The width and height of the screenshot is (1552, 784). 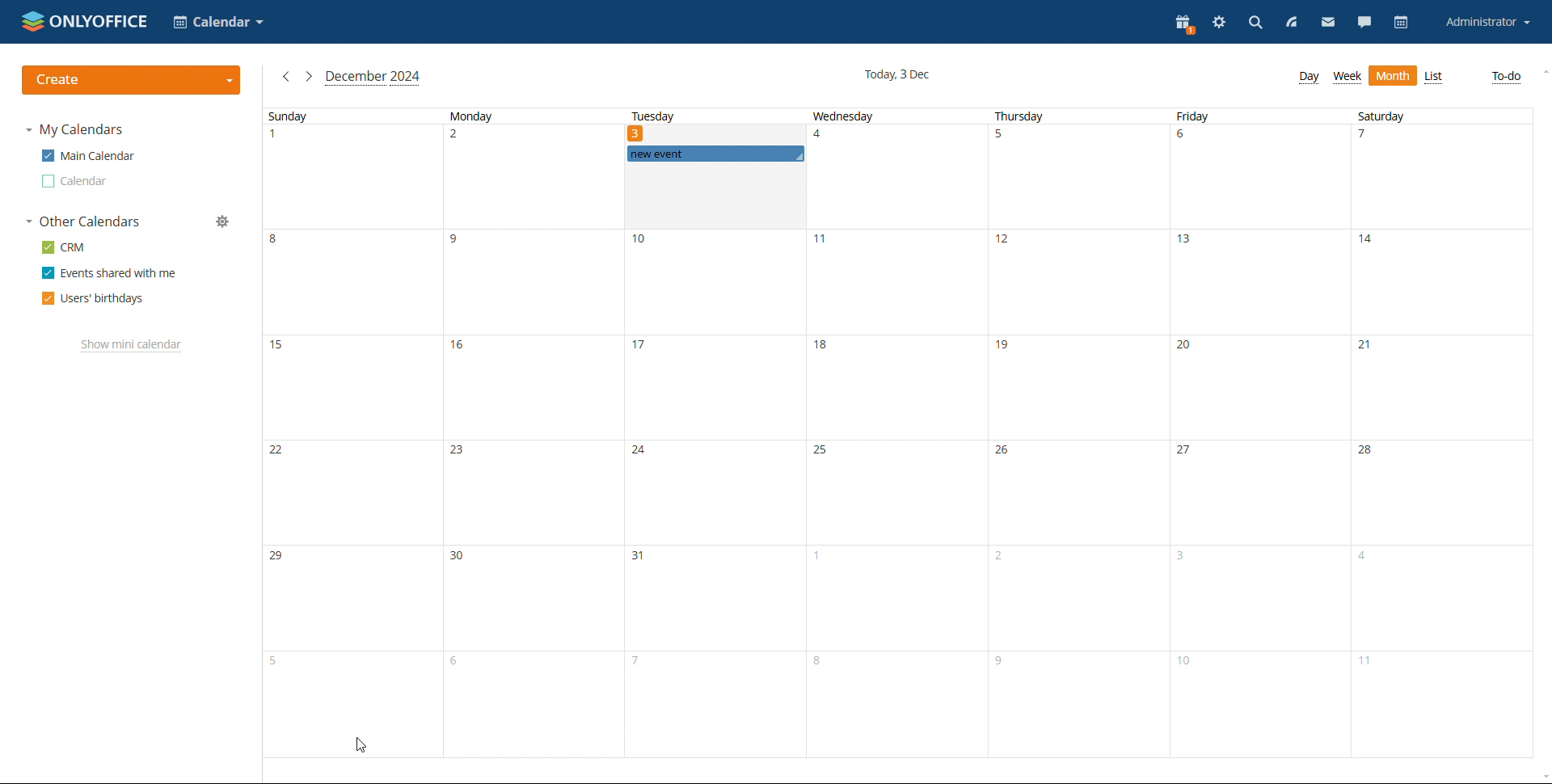 I want to click on manage, so click(x=223, y=221).